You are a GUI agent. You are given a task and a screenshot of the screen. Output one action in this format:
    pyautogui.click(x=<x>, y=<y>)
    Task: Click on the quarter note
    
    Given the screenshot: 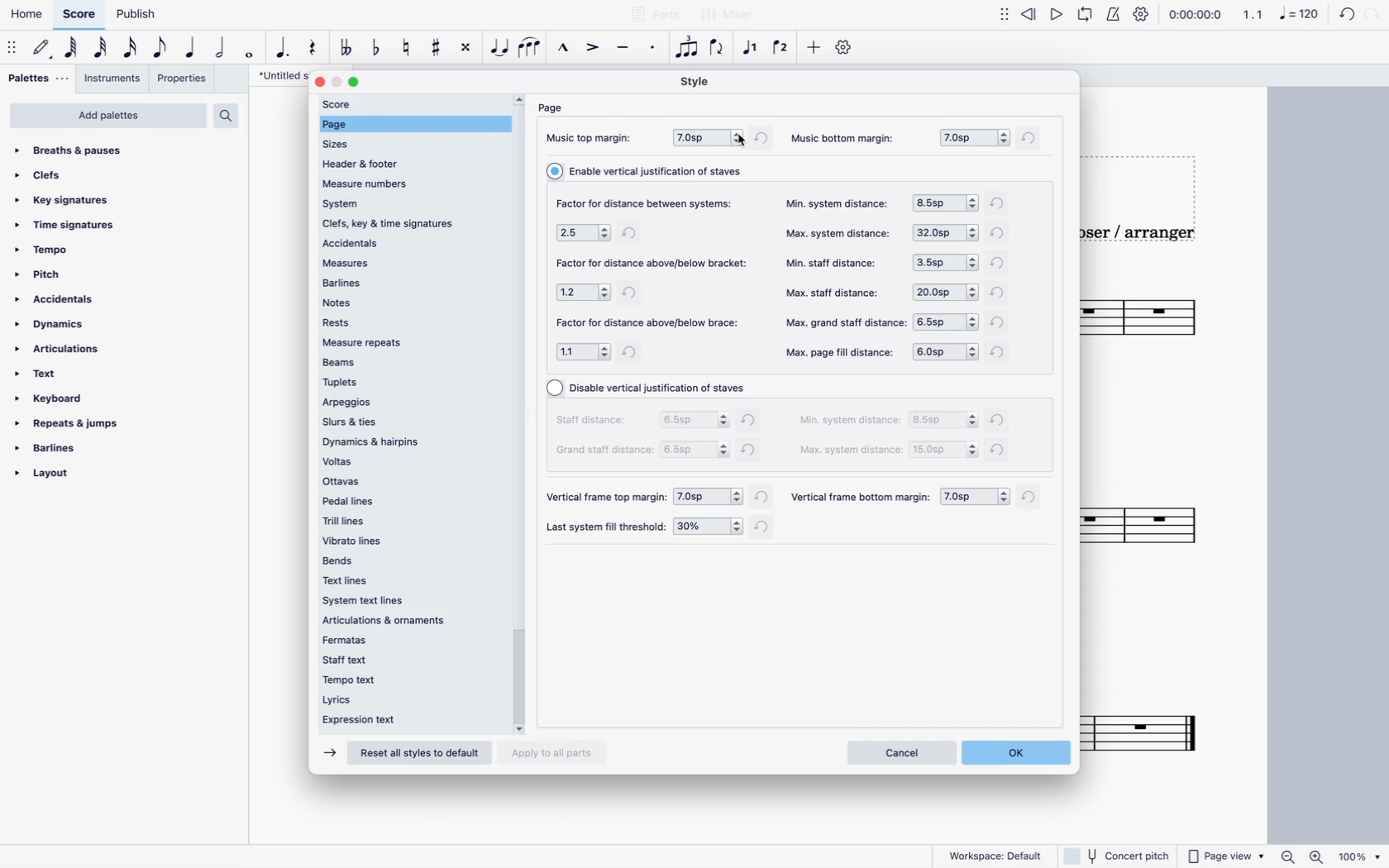 What is the action you would take?
    pyautogui.click(x=189, y=50)
    